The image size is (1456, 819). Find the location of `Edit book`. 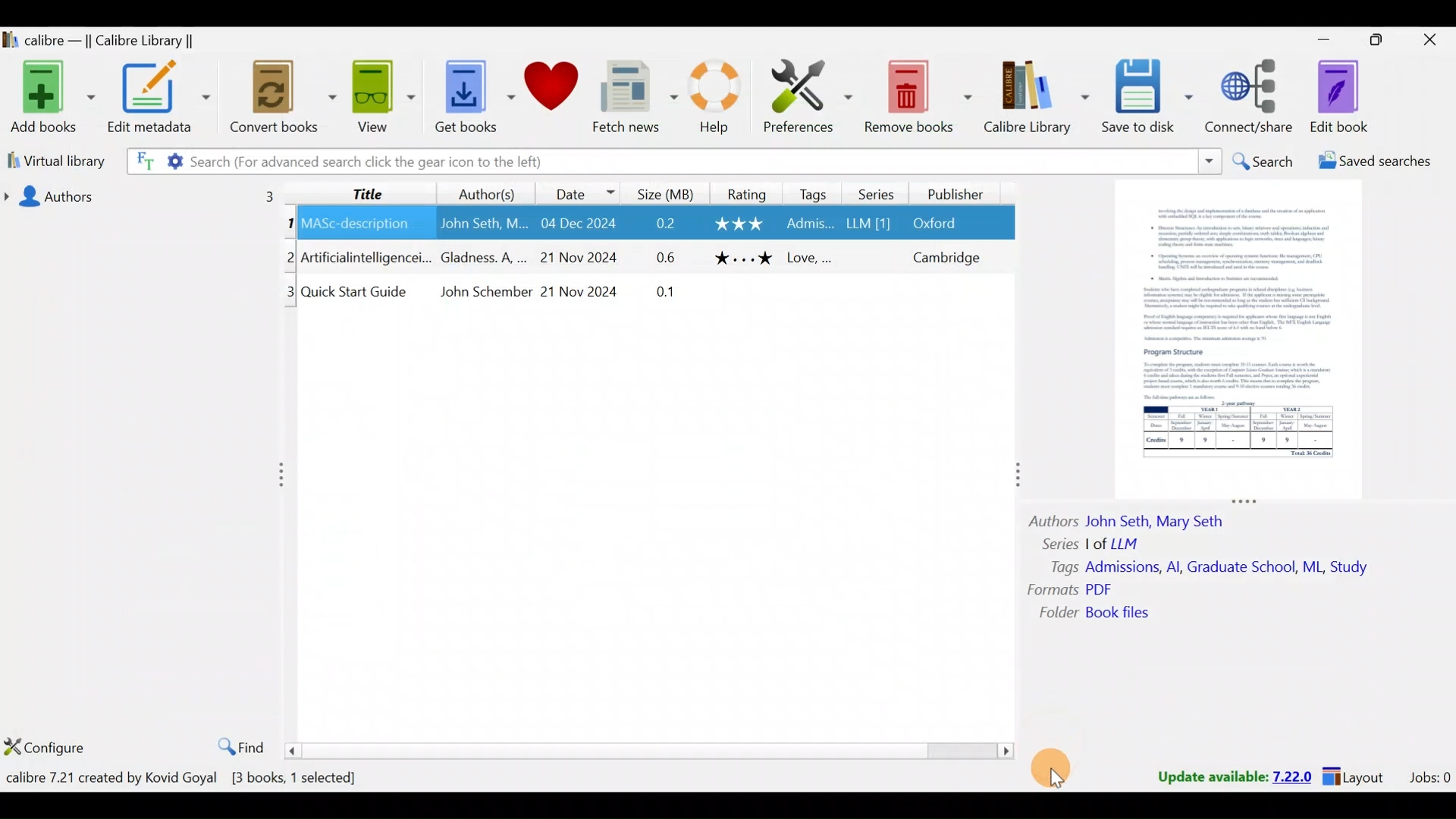

Edit book is located at coordinates (1354, 96).